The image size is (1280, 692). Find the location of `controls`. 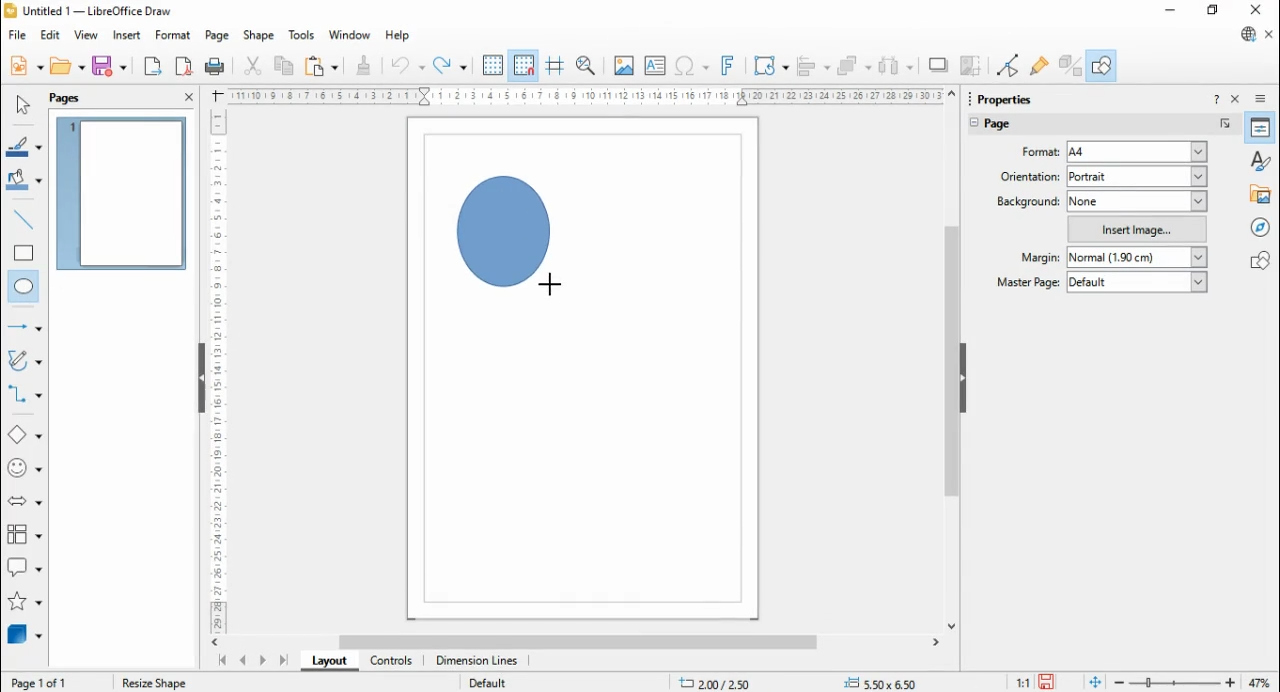

controls is located at coordinates (390, 661).